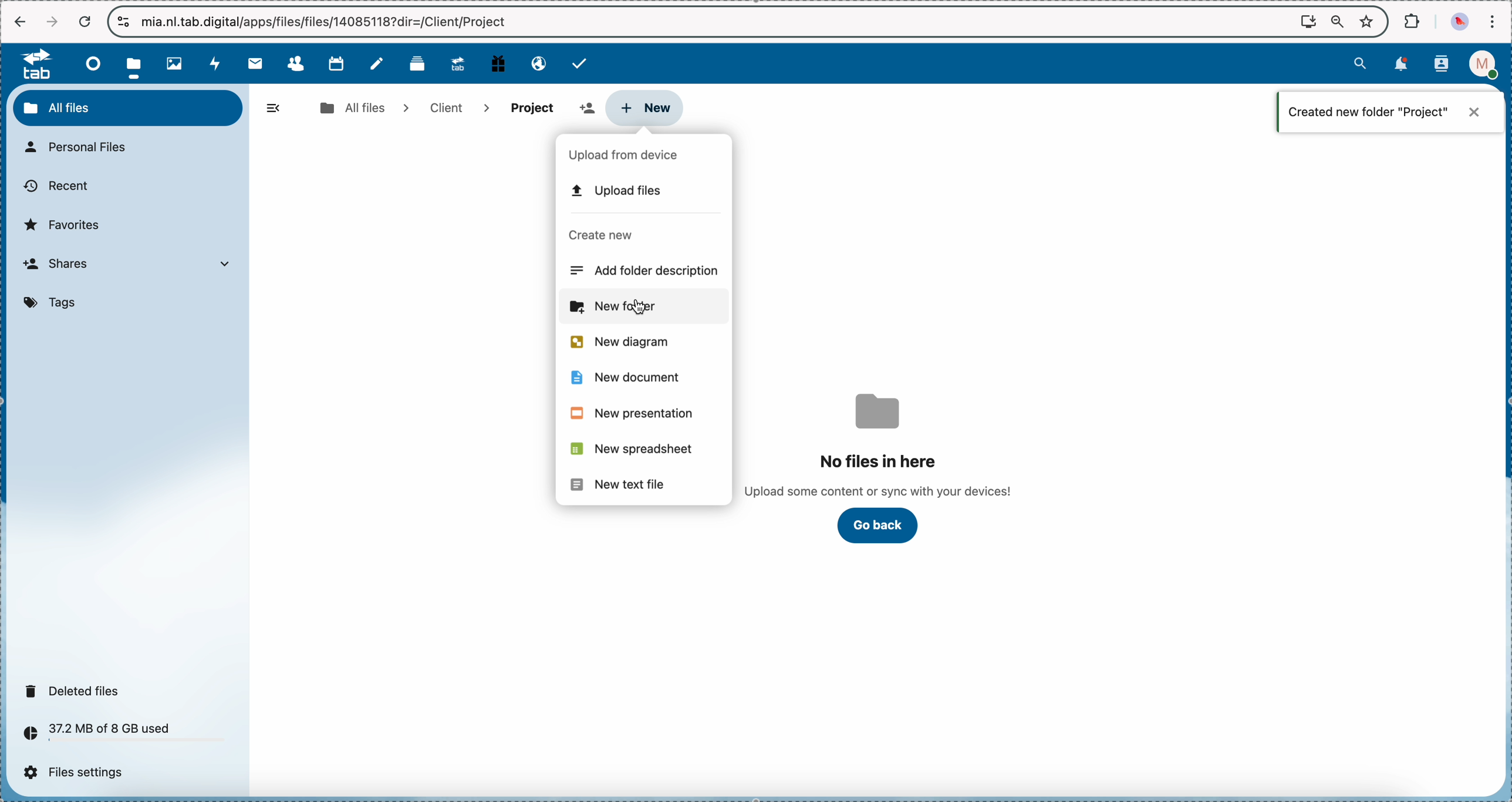 The image size is (1512, 802). I want to click on zoom out, so click(1338, 22).